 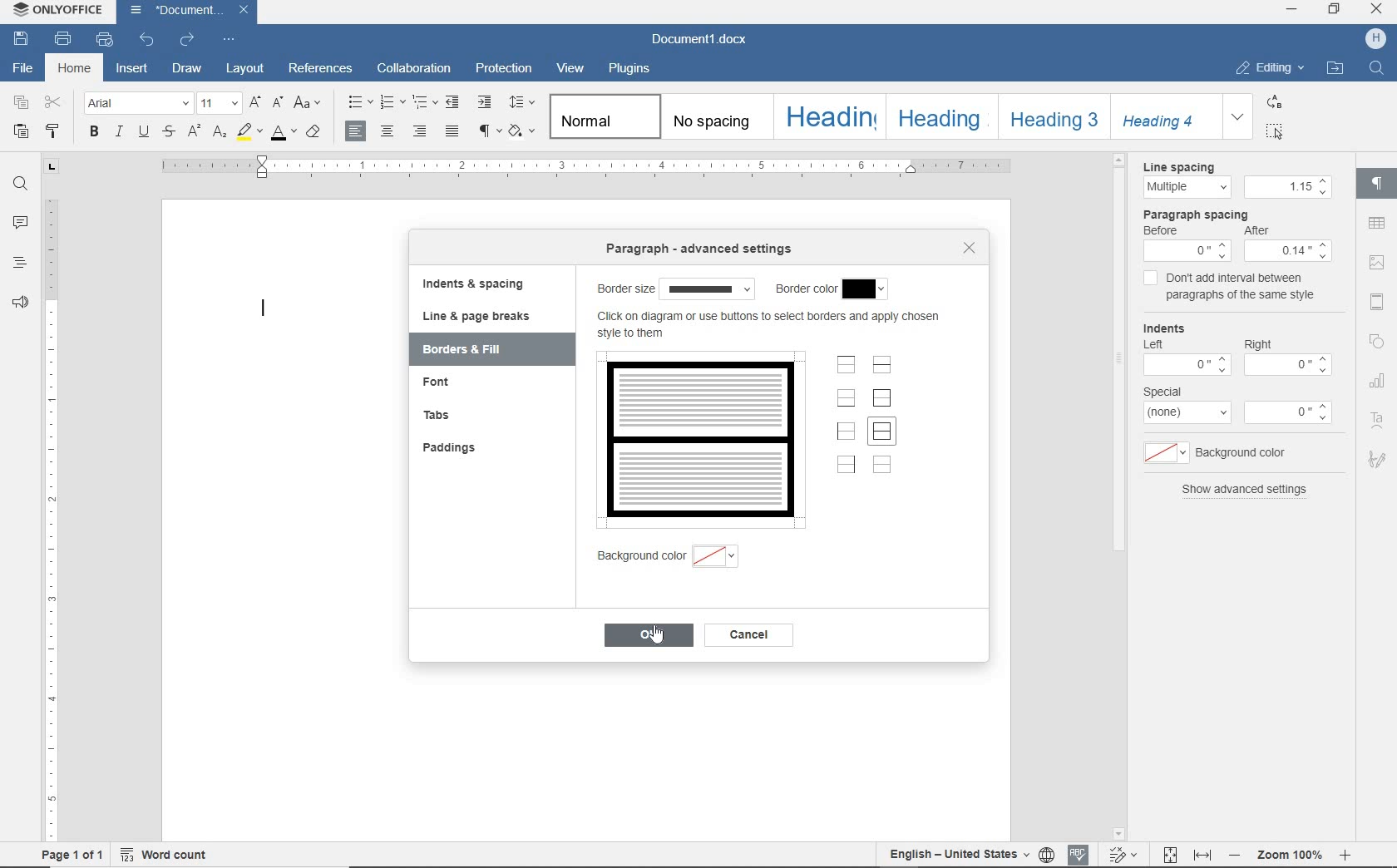 I want to click on MINIMIZE, so click(x=1292, y=9).